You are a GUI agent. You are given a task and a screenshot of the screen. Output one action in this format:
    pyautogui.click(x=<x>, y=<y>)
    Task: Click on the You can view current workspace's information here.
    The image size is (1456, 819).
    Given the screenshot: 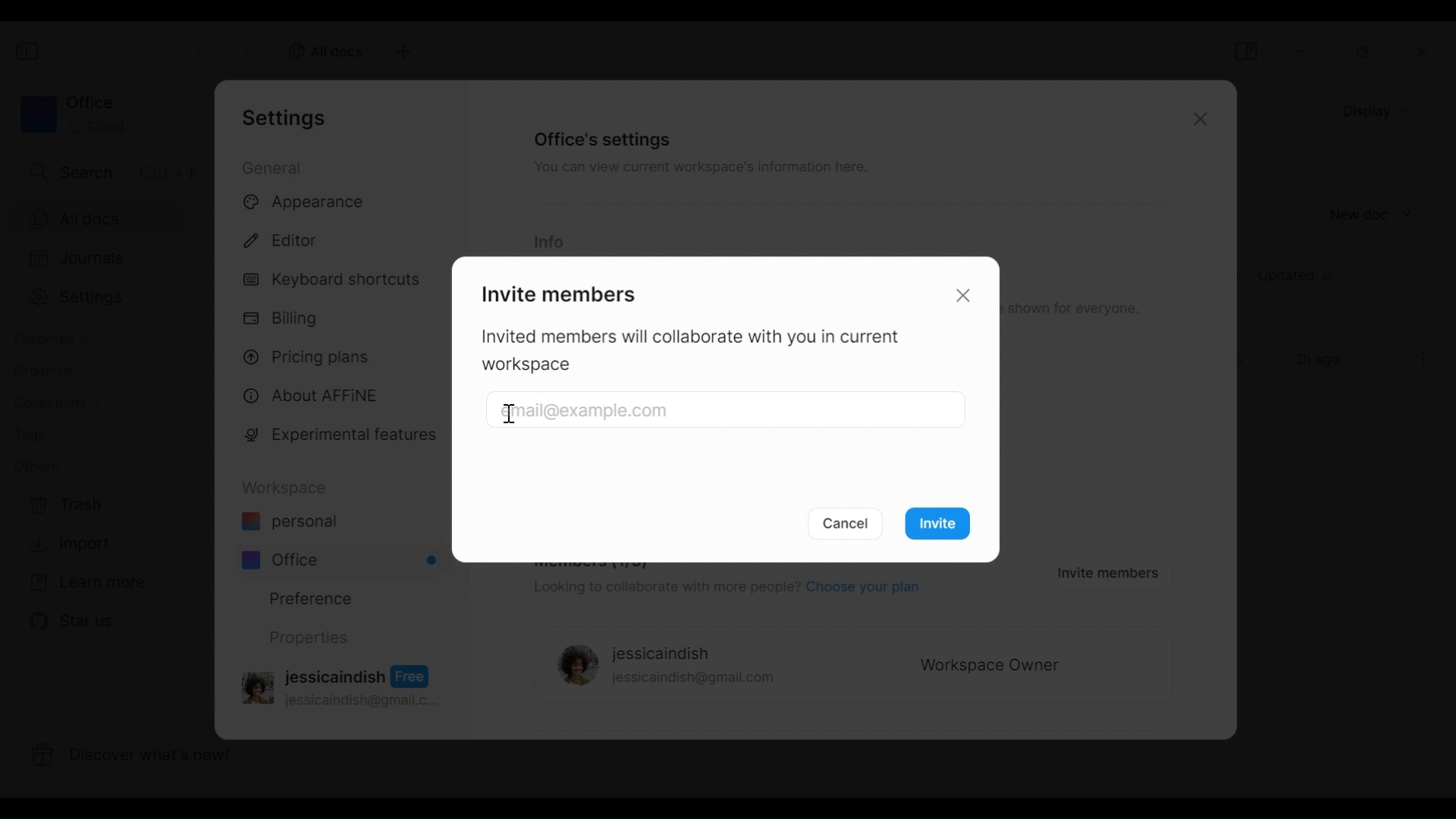 What is the action you would take?
    pyautogui.click(x=698, y=170)
    